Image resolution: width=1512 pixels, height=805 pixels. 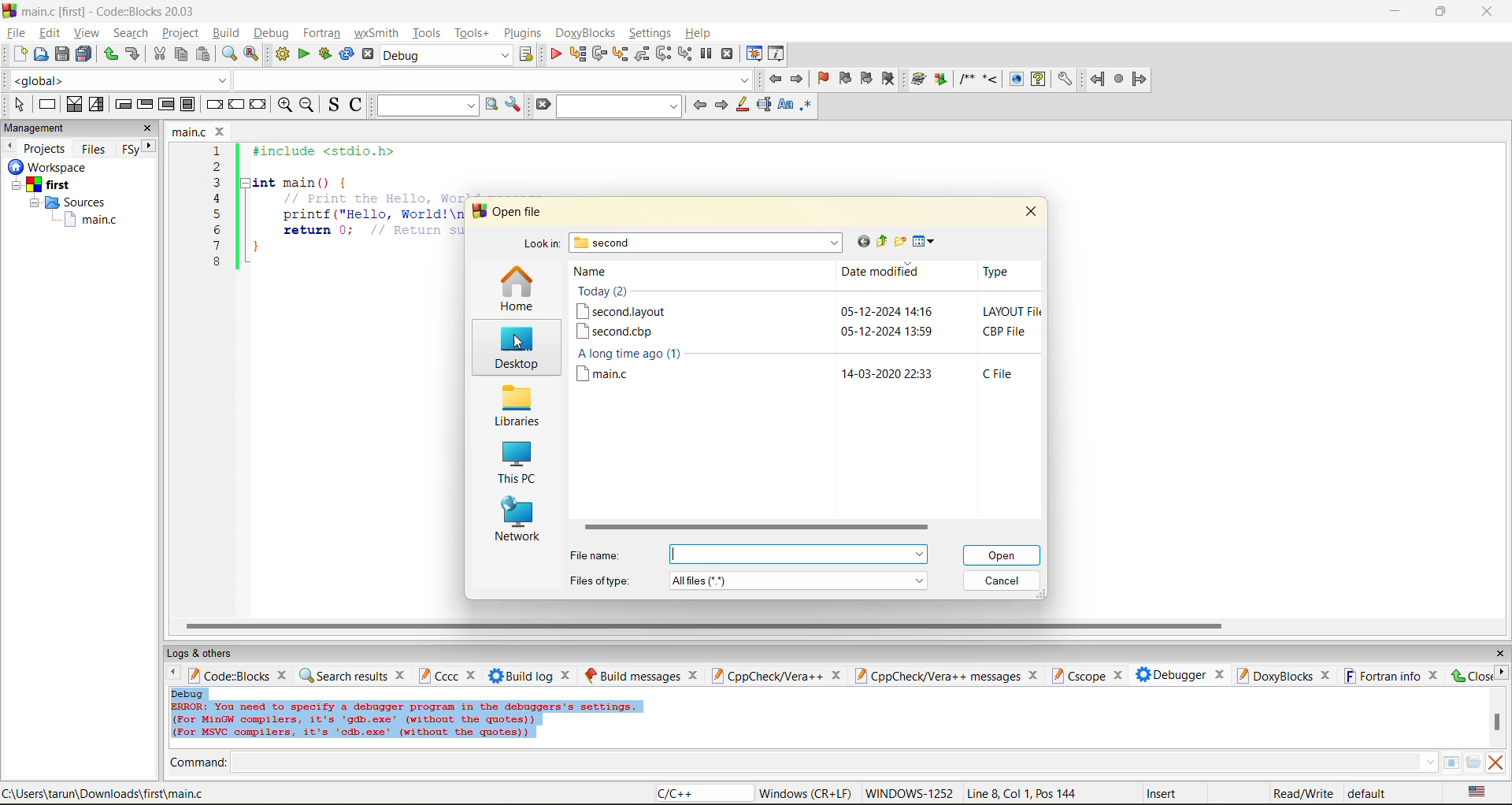 I want to click on close, so click(x=1499, y=654).